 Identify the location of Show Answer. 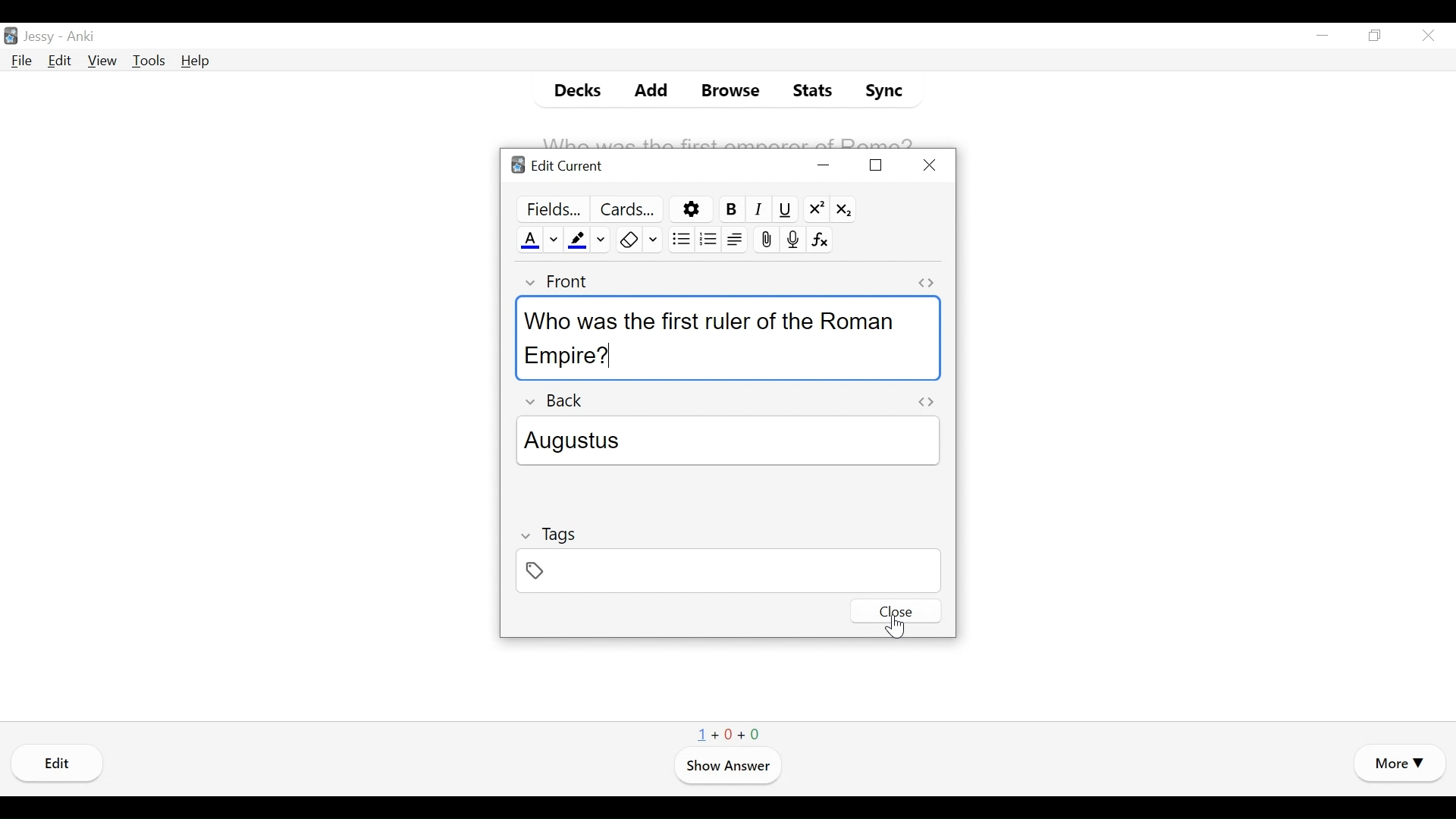
(726, 767).